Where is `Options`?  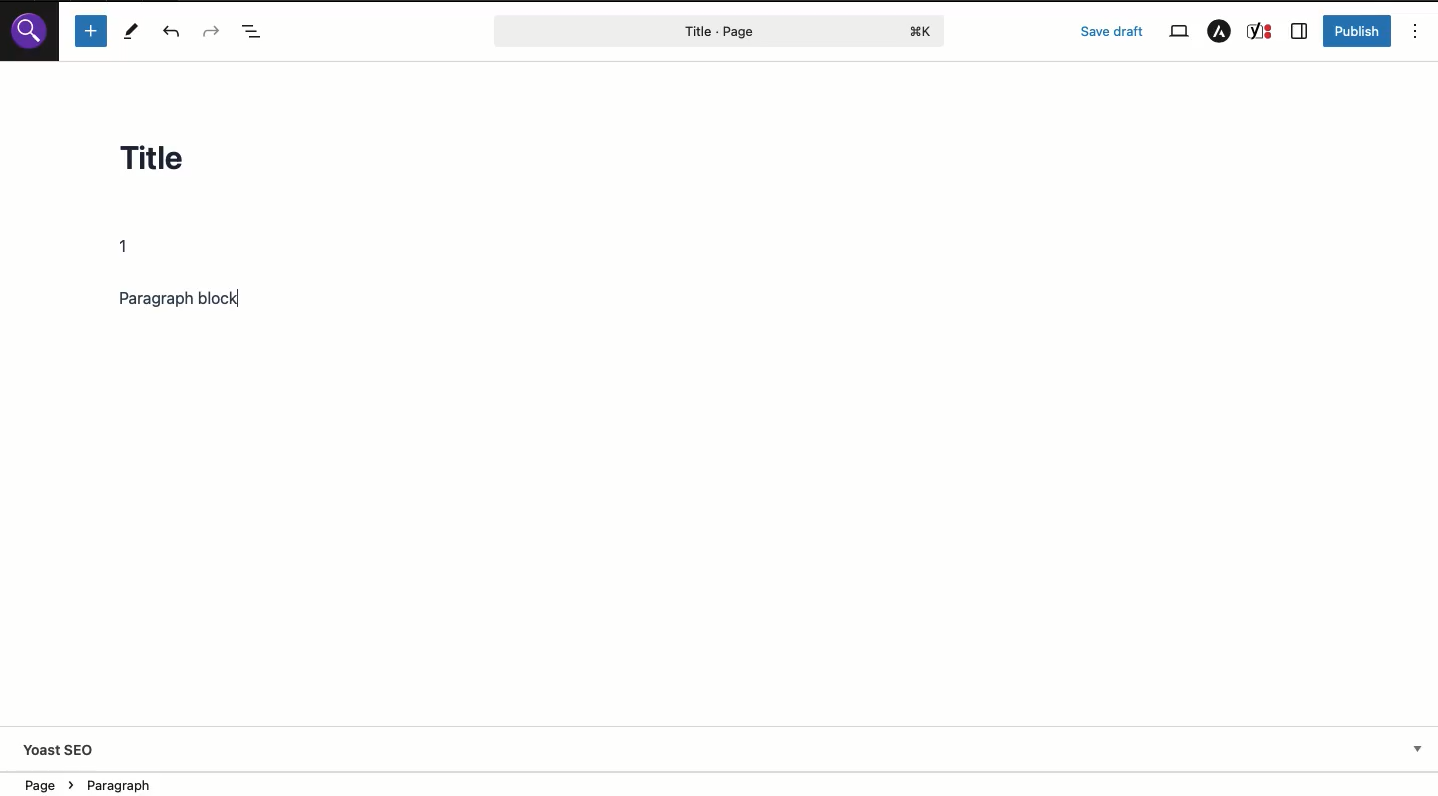 Options is located at coordinates (1416, 30).